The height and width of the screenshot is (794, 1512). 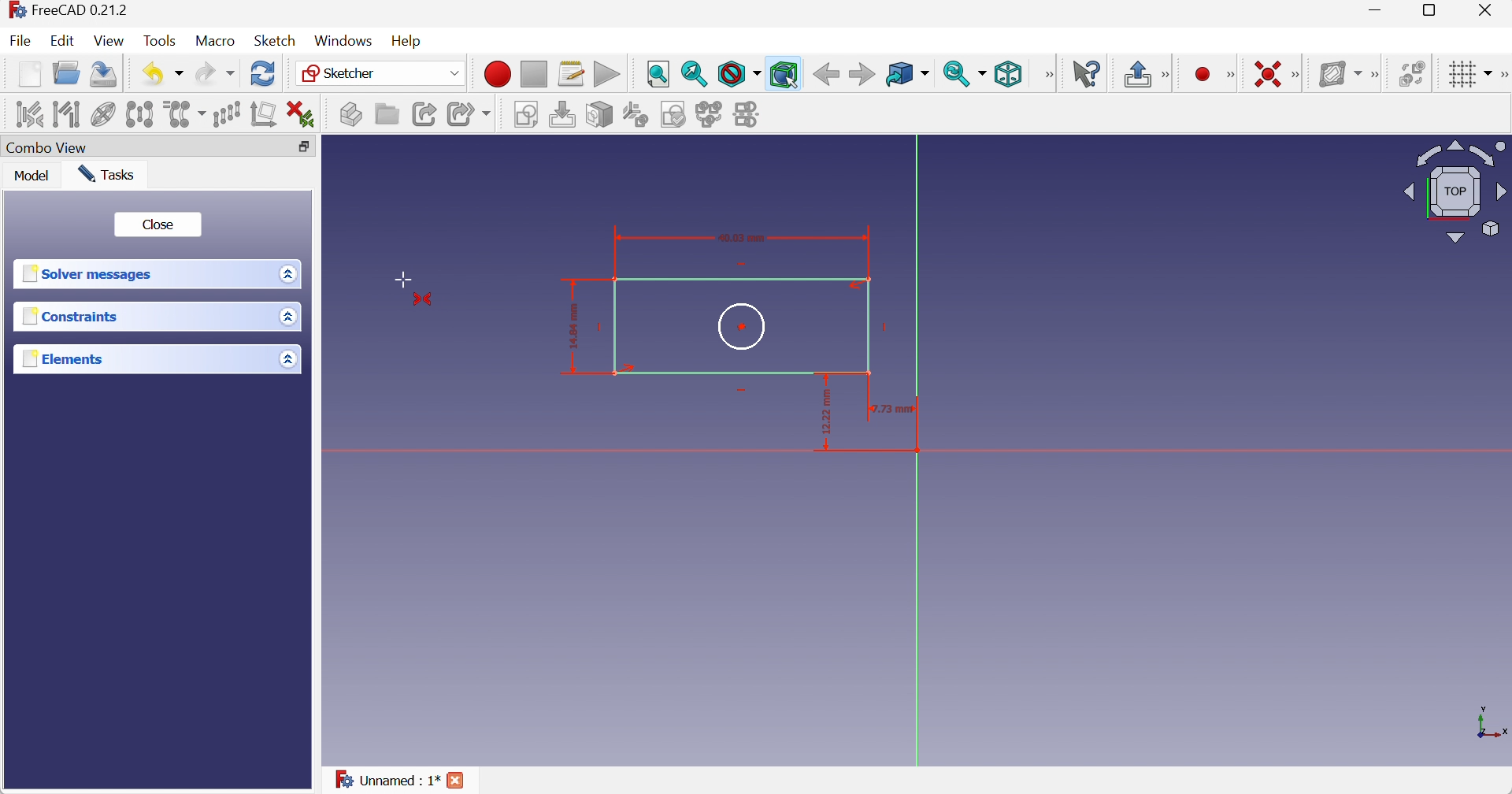 What do you see at coordinates (1009, 75) in the screenshot?
I see `Isometric` at bounding box center [1009, 75].